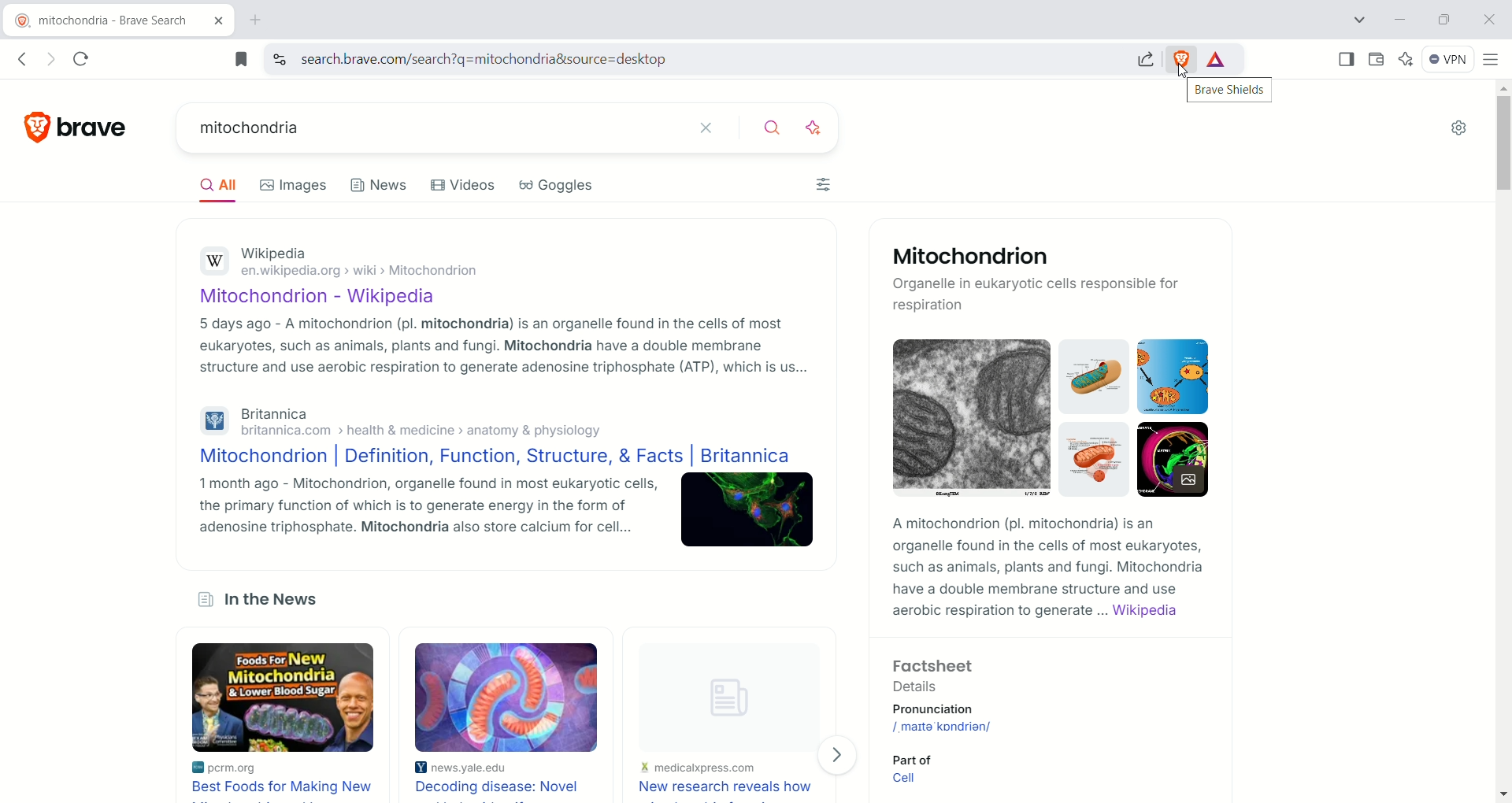 This screenshot has width=1512, height=803. Describe the element at coordinates (1358, 22) in the screenshot. I see `search tab` at that location.